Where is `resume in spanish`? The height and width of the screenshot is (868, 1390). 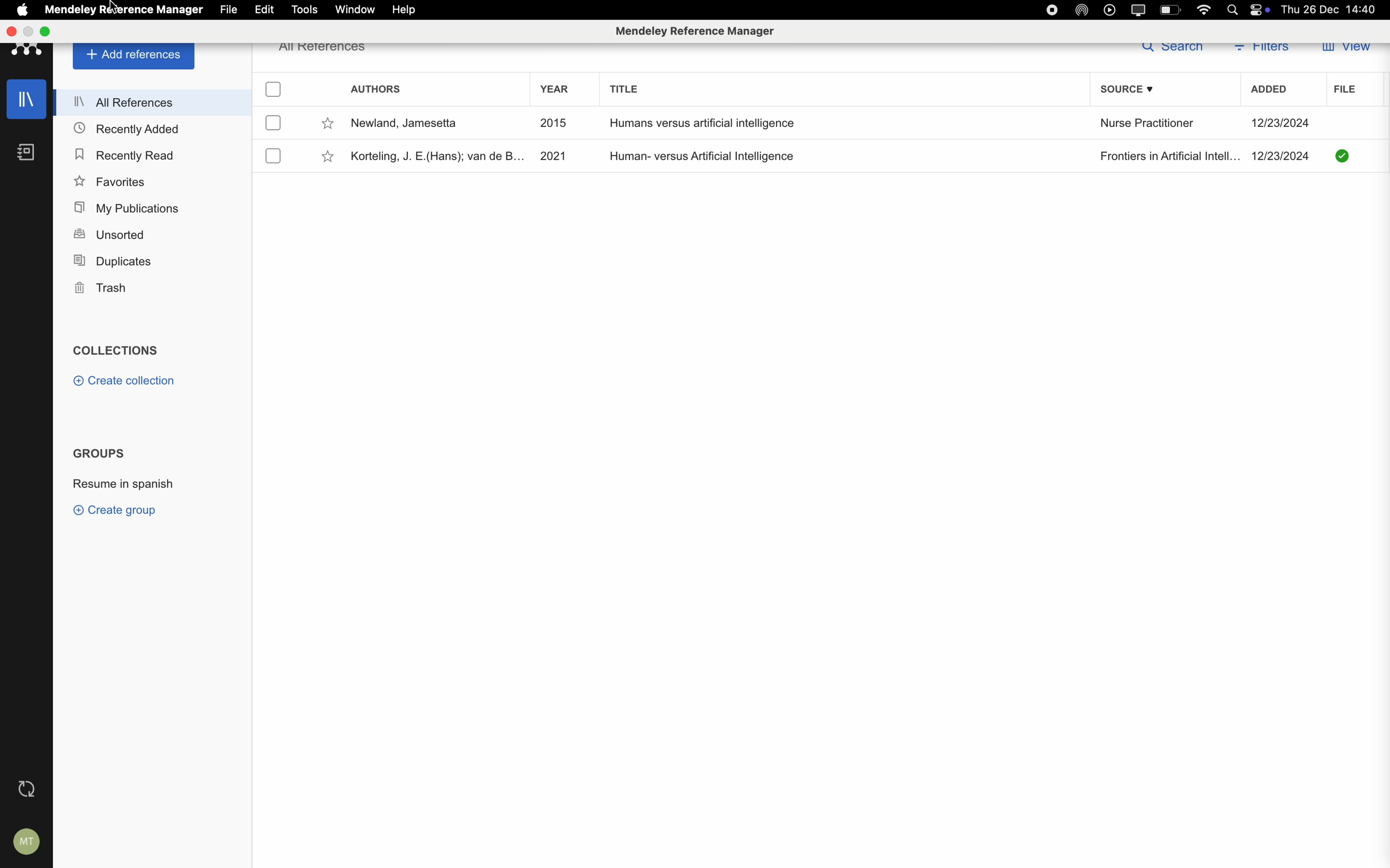
resume in spanish is located at coordinates (122, 481).